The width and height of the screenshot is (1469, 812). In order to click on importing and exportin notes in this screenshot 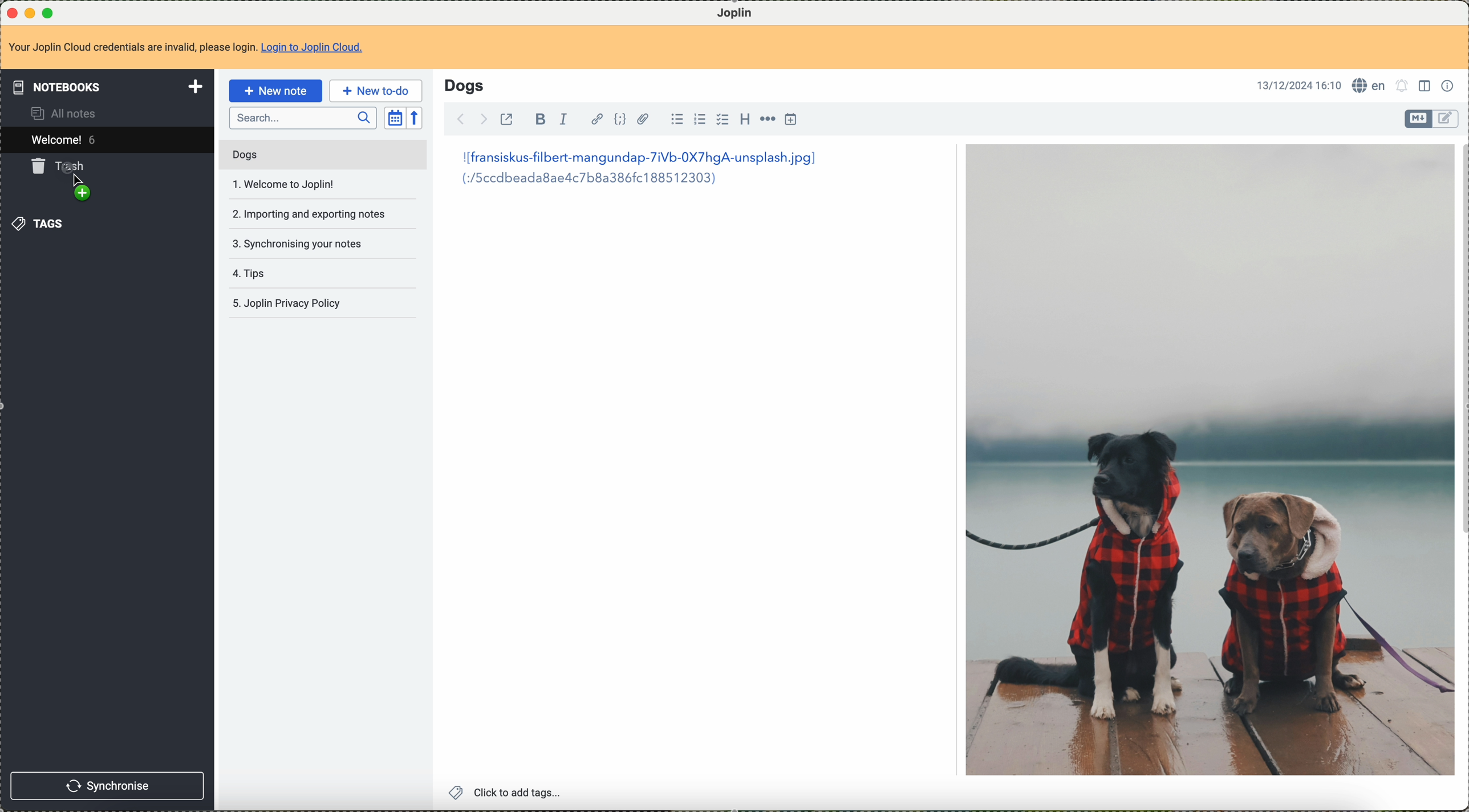, I will do `click(307, 214)`.